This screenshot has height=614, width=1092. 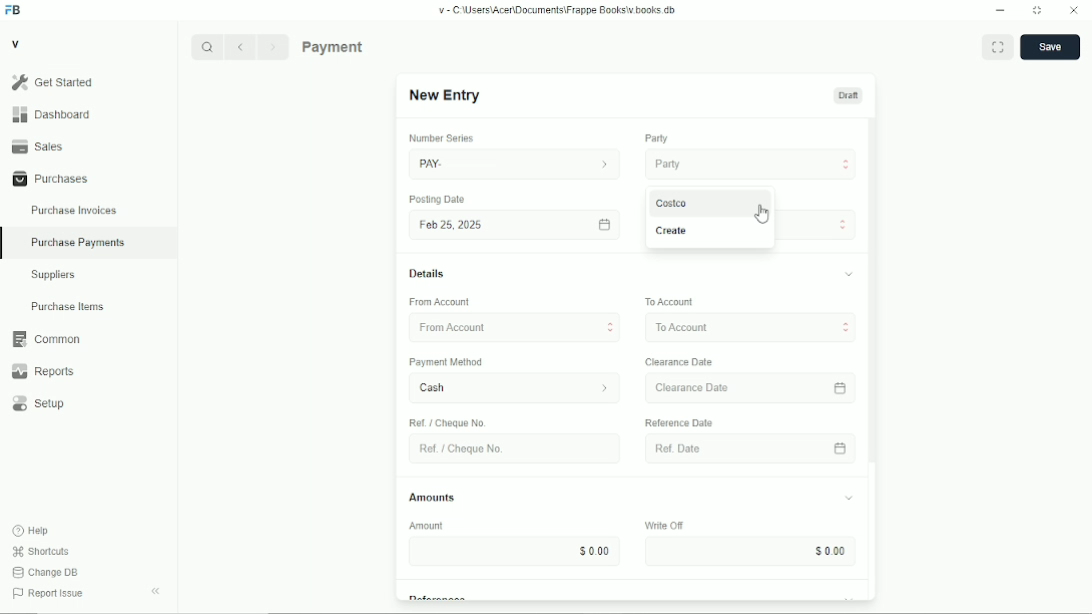 What do you see at coordinates (515, 161) in the screenshot?
I see `PAY.` at bounding box center [515, 161].